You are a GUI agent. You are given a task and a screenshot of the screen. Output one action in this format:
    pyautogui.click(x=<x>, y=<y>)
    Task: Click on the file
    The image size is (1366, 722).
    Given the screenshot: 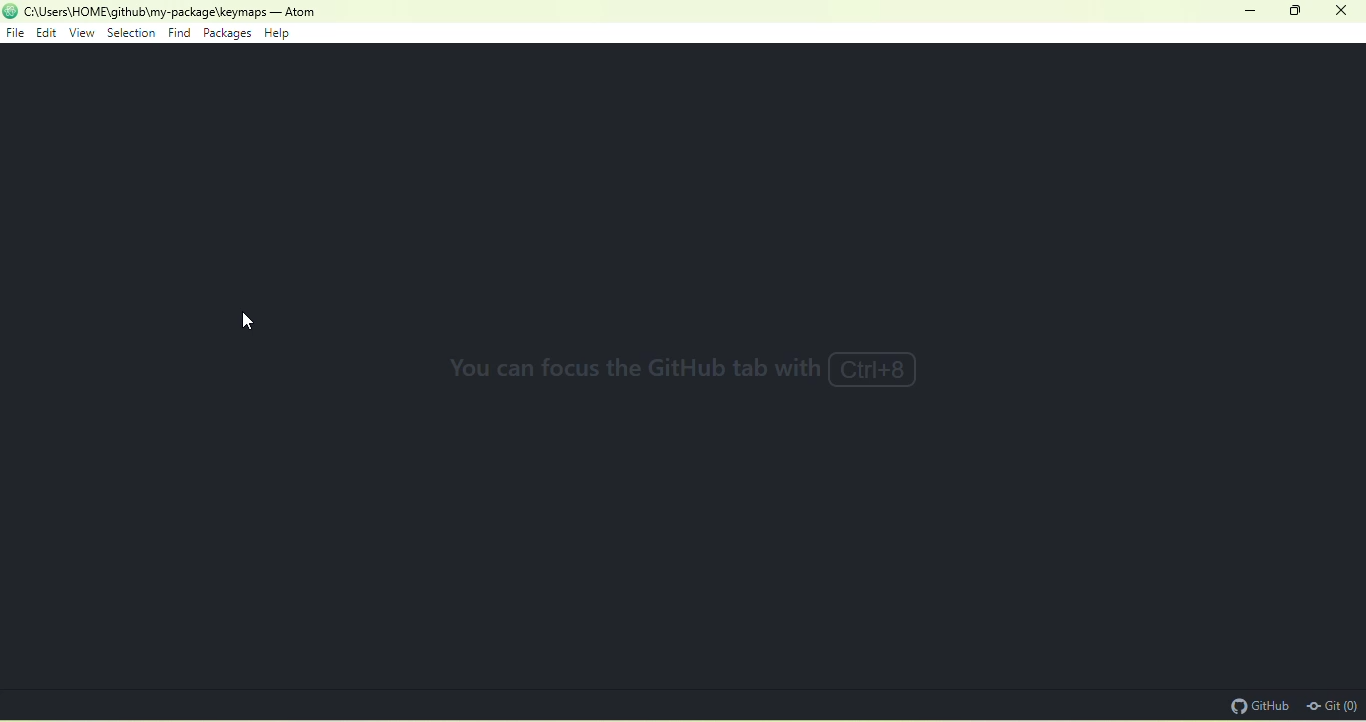 What is the action you would take?
    pyautogui.click(x=17, y=35)
    